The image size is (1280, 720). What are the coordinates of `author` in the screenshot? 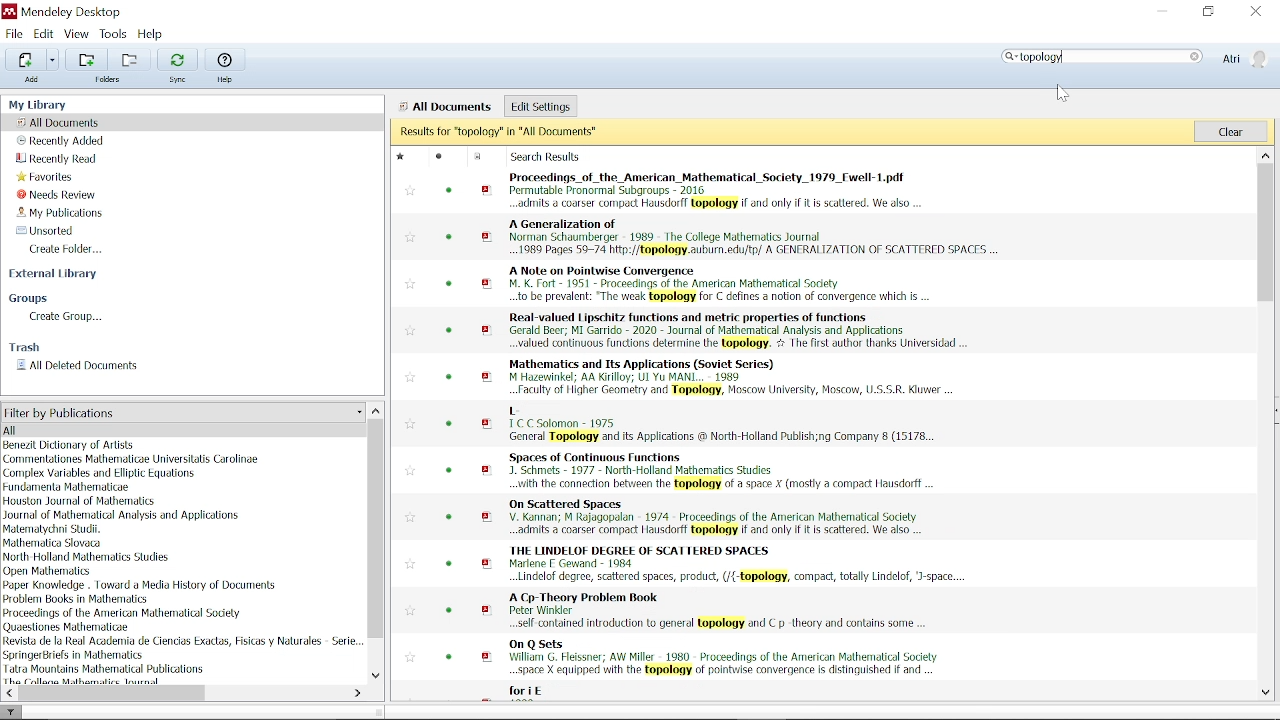 It's located at (105, 668).